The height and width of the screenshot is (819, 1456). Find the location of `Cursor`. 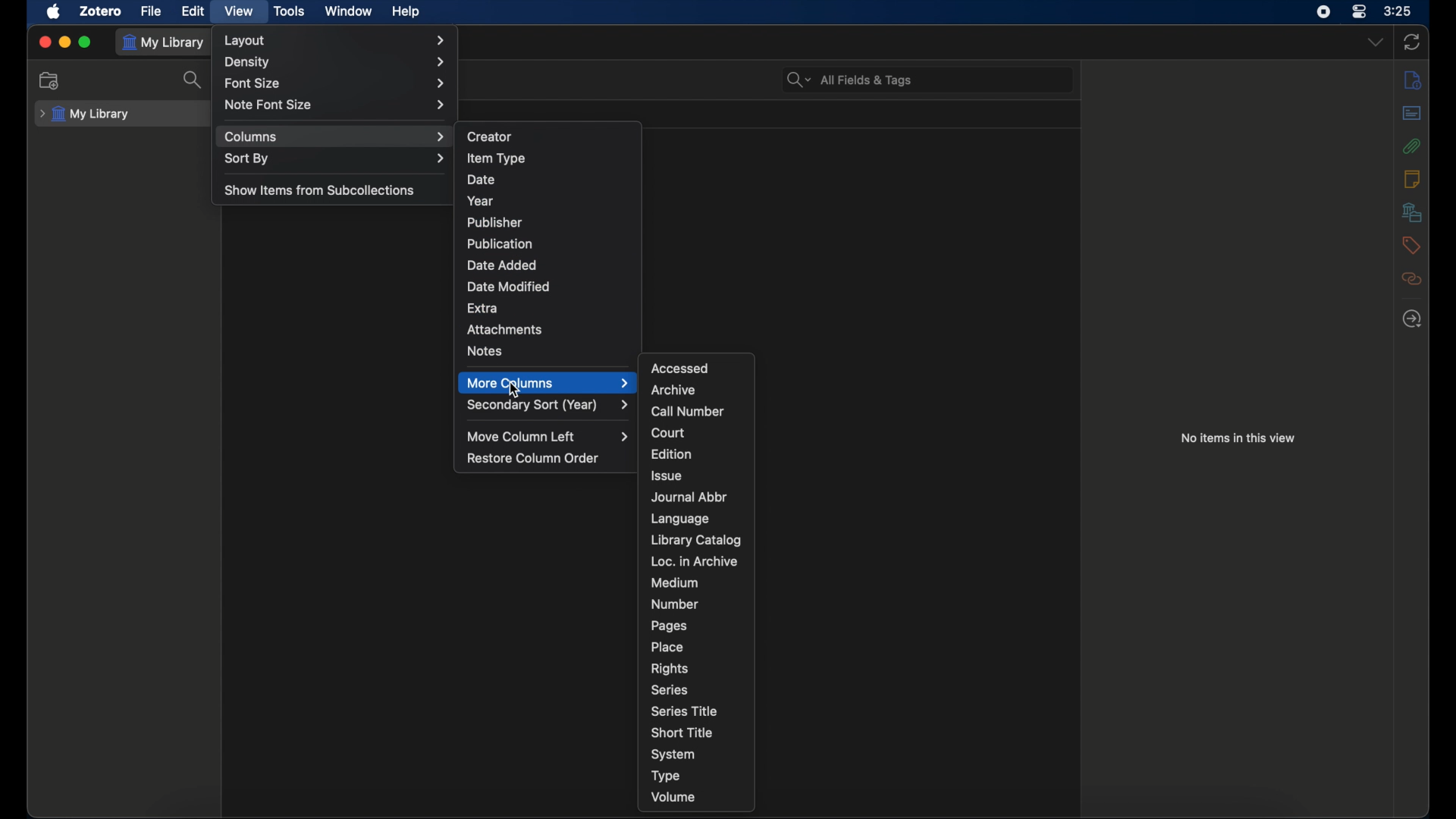

Cursor is located at coordinates (511, 390).